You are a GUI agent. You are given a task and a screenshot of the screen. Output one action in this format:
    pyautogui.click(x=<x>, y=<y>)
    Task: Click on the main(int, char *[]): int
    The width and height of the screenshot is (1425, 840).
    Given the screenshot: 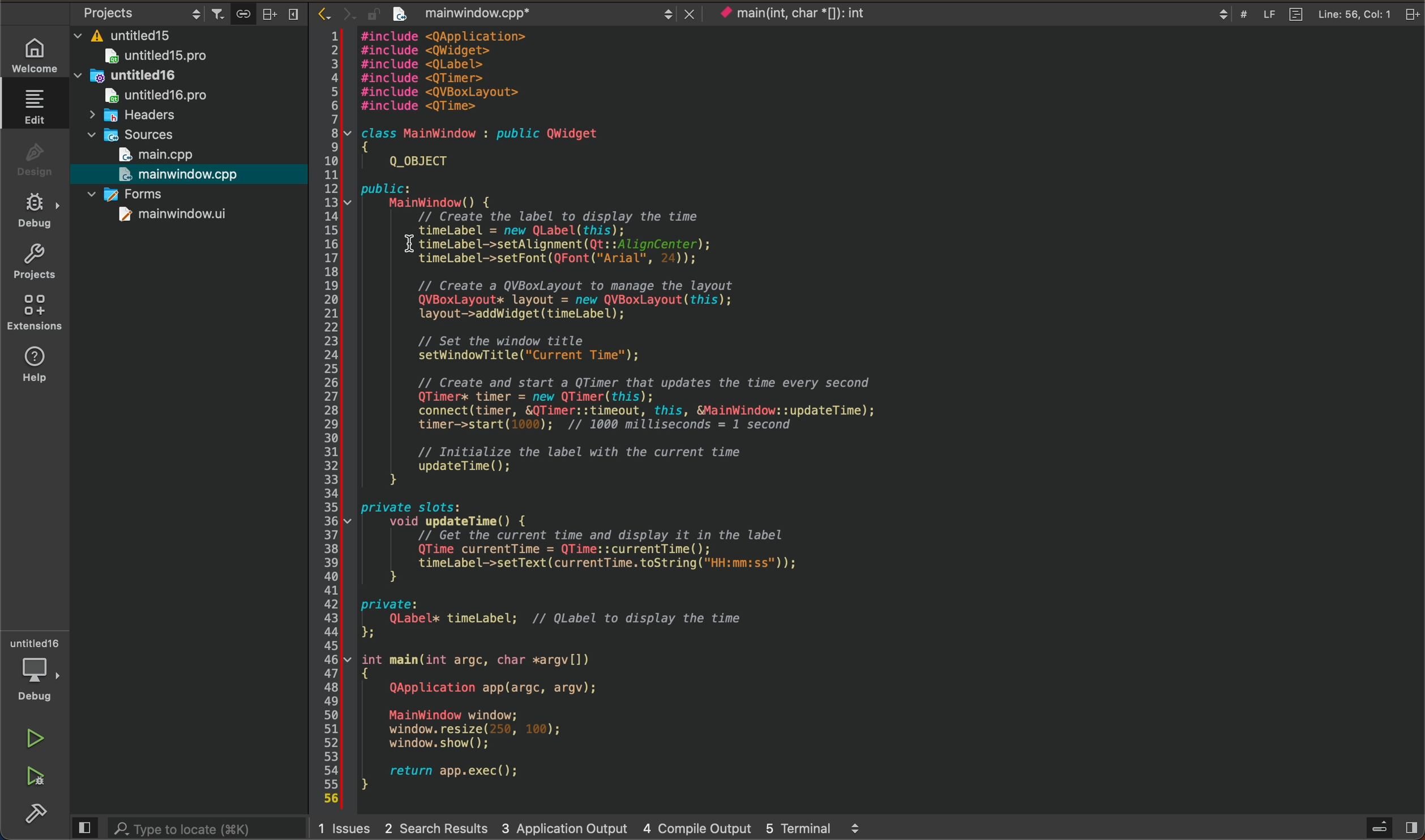 What is the action you would take?
    pyautogui.click(x=974, y=13)
    